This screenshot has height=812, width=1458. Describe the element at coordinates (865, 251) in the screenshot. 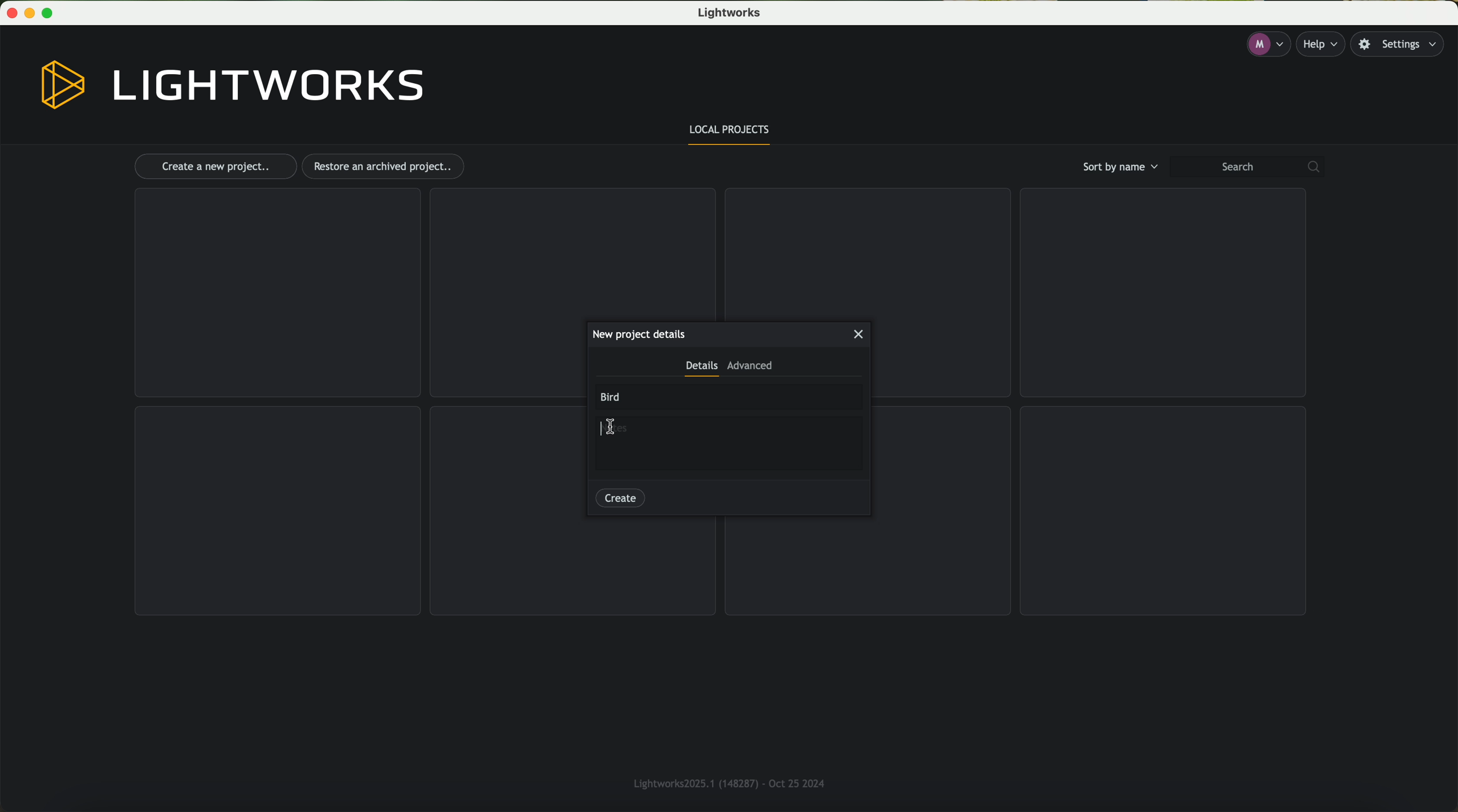

I see `grid` at that location.